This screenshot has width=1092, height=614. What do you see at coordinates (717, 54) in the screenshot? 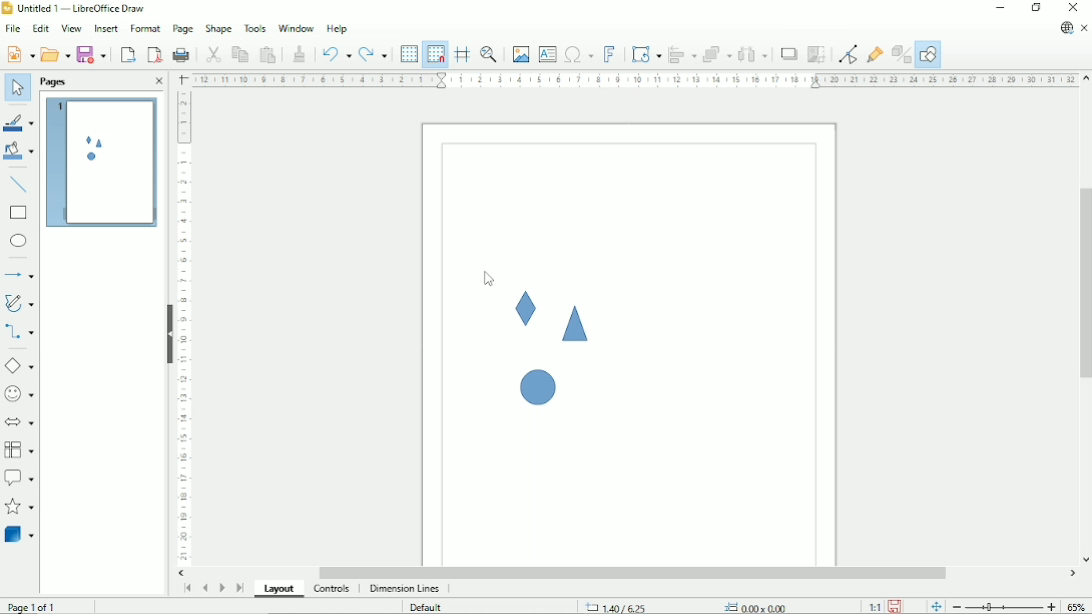
I see `Arrange` at bounding box center [717, 54].